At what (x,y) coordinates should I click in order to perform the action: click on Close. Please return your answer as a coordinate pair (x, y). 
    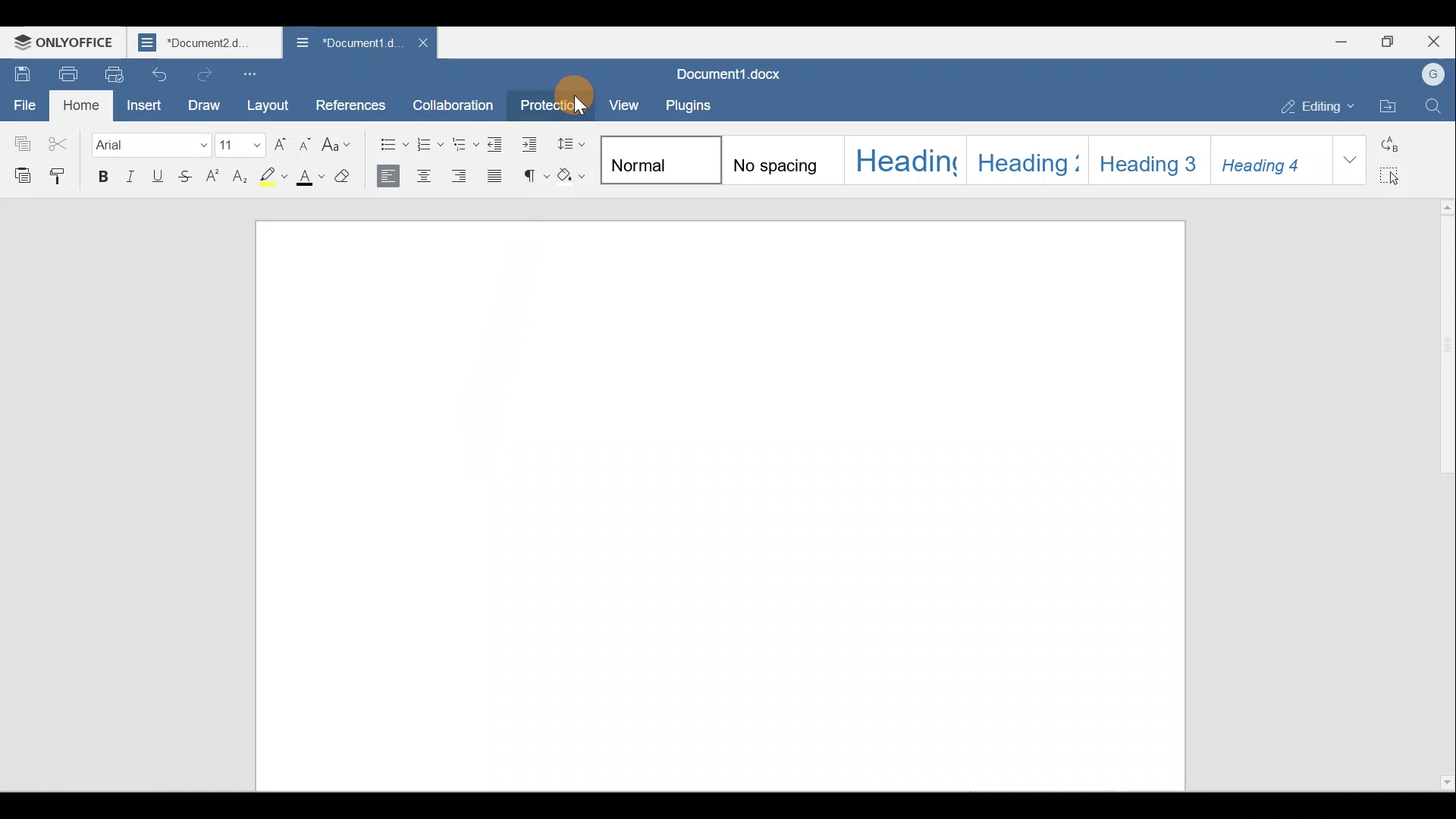
    Looking at the image, I should click on (1433, 42).